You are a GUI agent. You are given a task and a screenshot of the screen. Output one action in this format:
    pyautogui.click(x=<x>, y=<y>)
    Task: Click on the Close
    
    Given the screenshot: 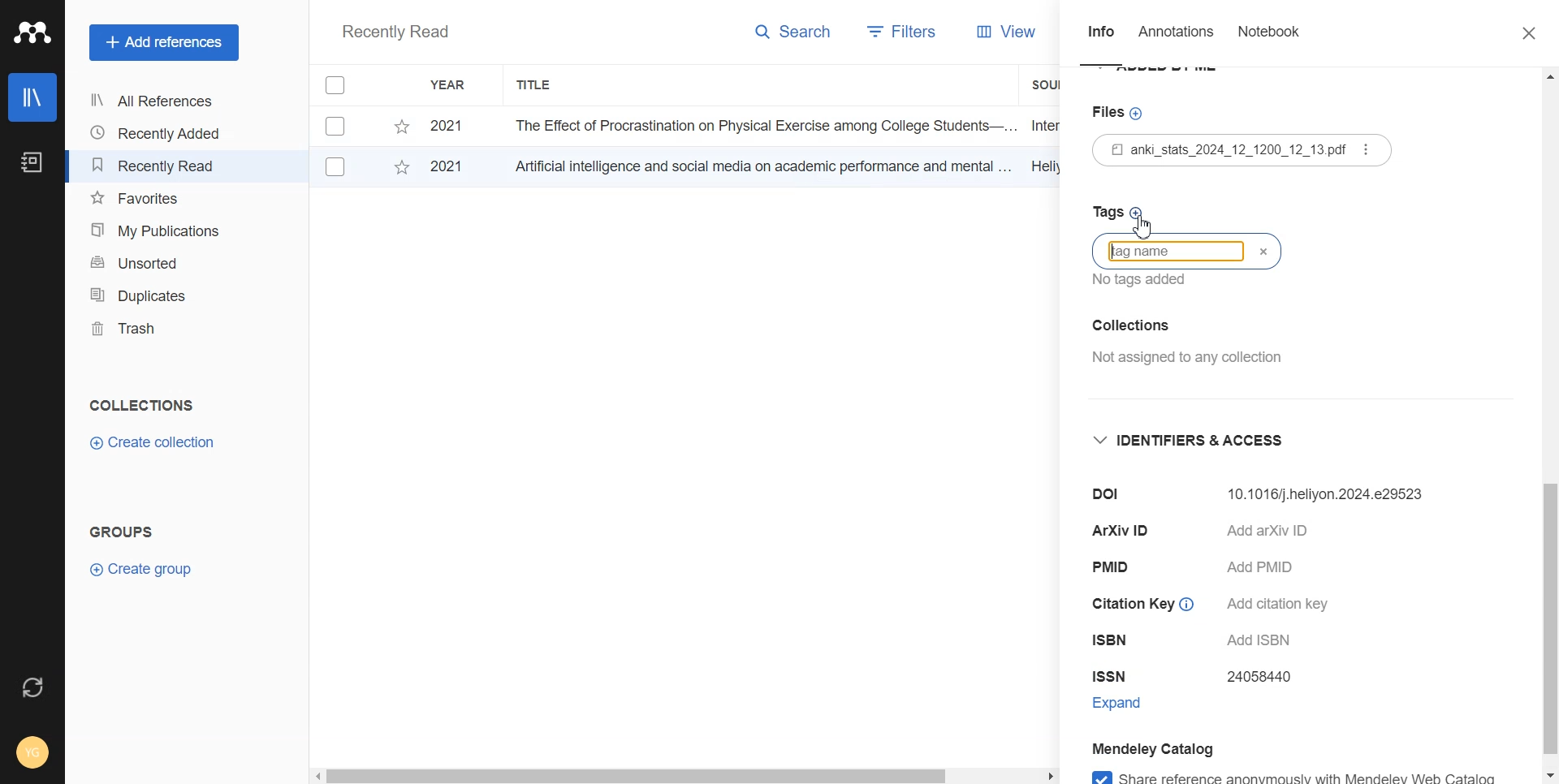 What is the action you would take?
    pyautogui.click(x=1259, y=248)
    